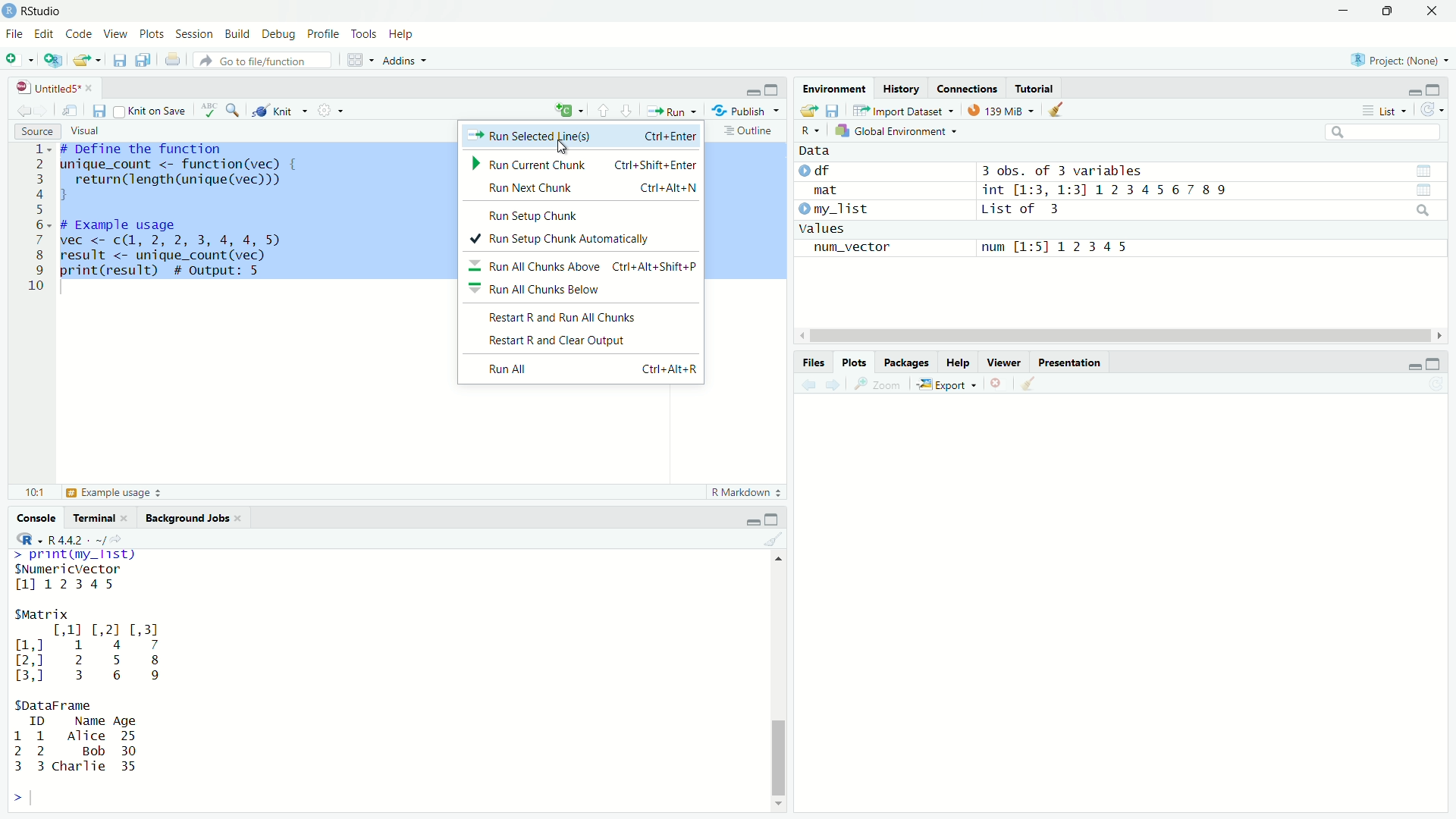 The image size is (1456, 819). What do you see at coordinates (1072, 362) in the screenshot?
I see `Presentation` at bounding box center [1072, 362].